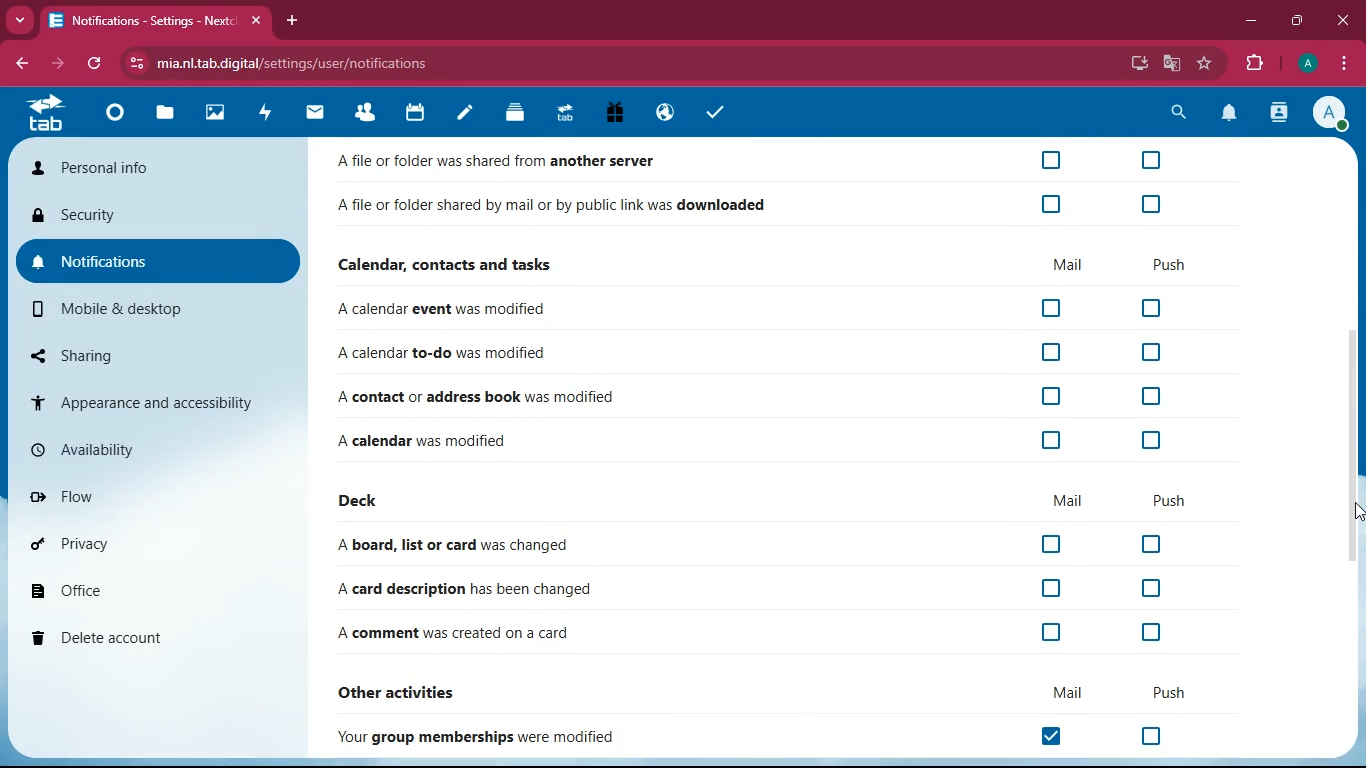  I want to click on delete account, so click(148, 636).